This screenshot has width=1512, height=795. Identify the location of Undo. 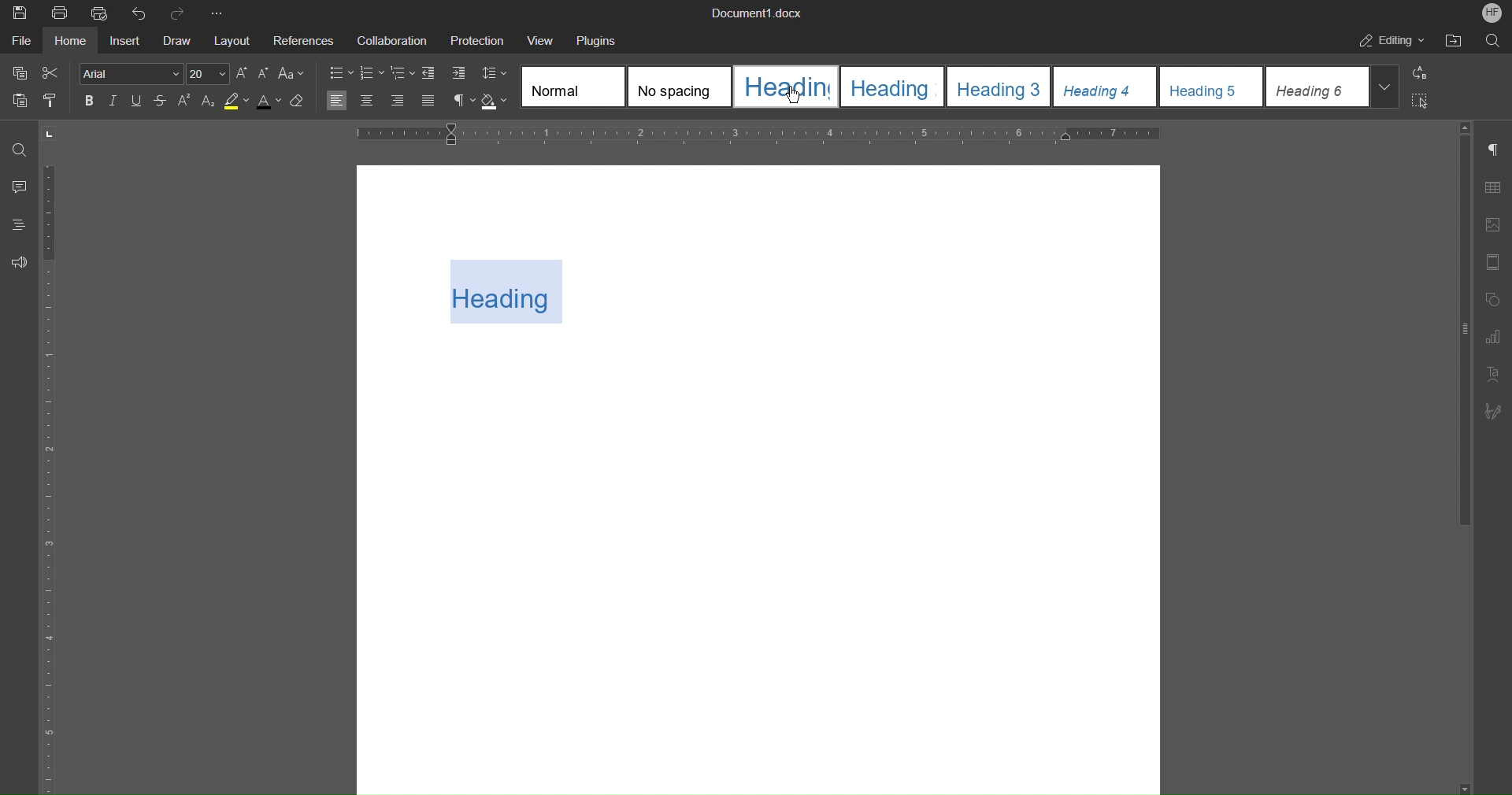
(140, 12).